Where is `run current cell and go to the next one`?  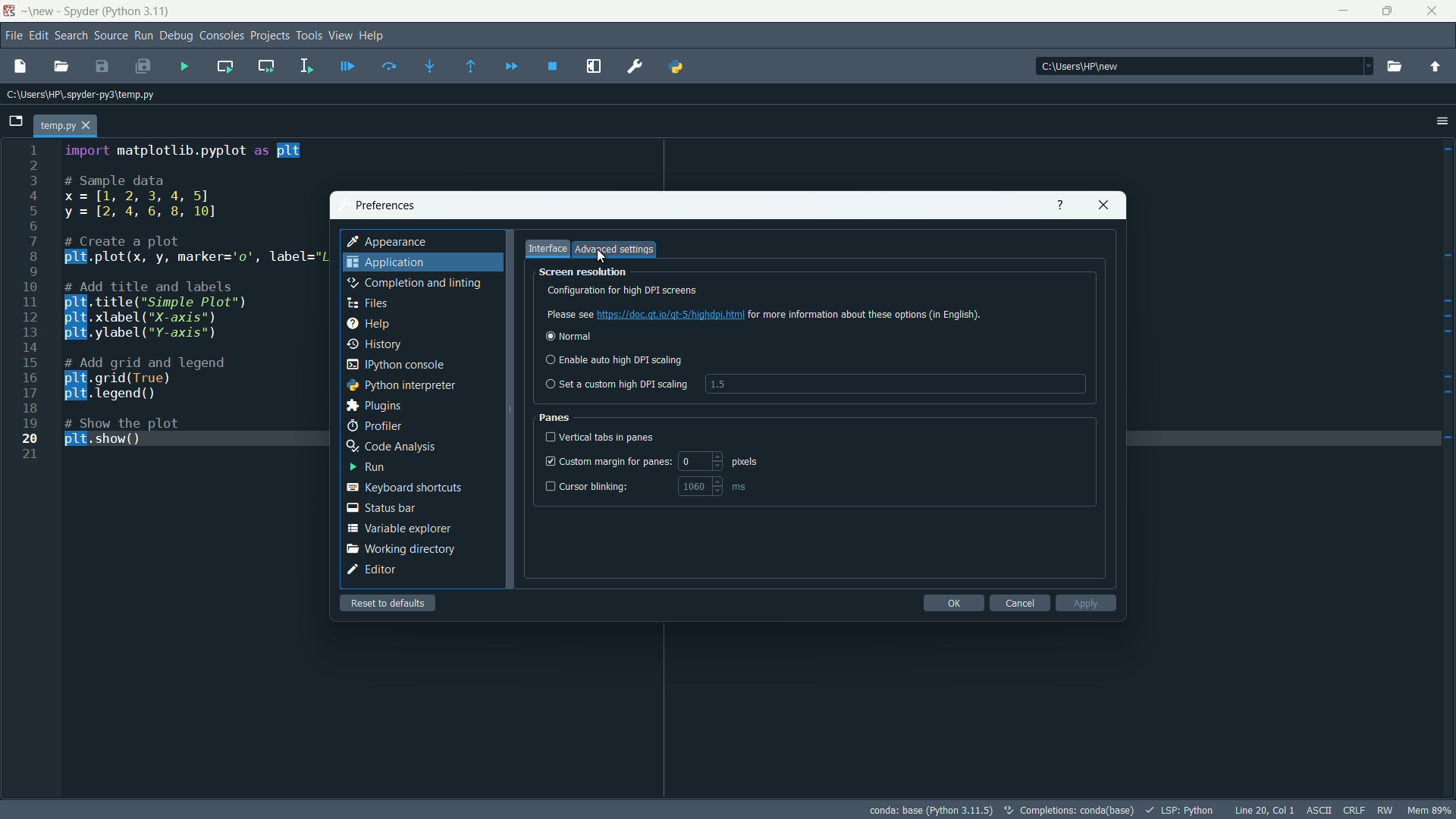 run current cell and go to the next one is located at coordinates (267, 65).